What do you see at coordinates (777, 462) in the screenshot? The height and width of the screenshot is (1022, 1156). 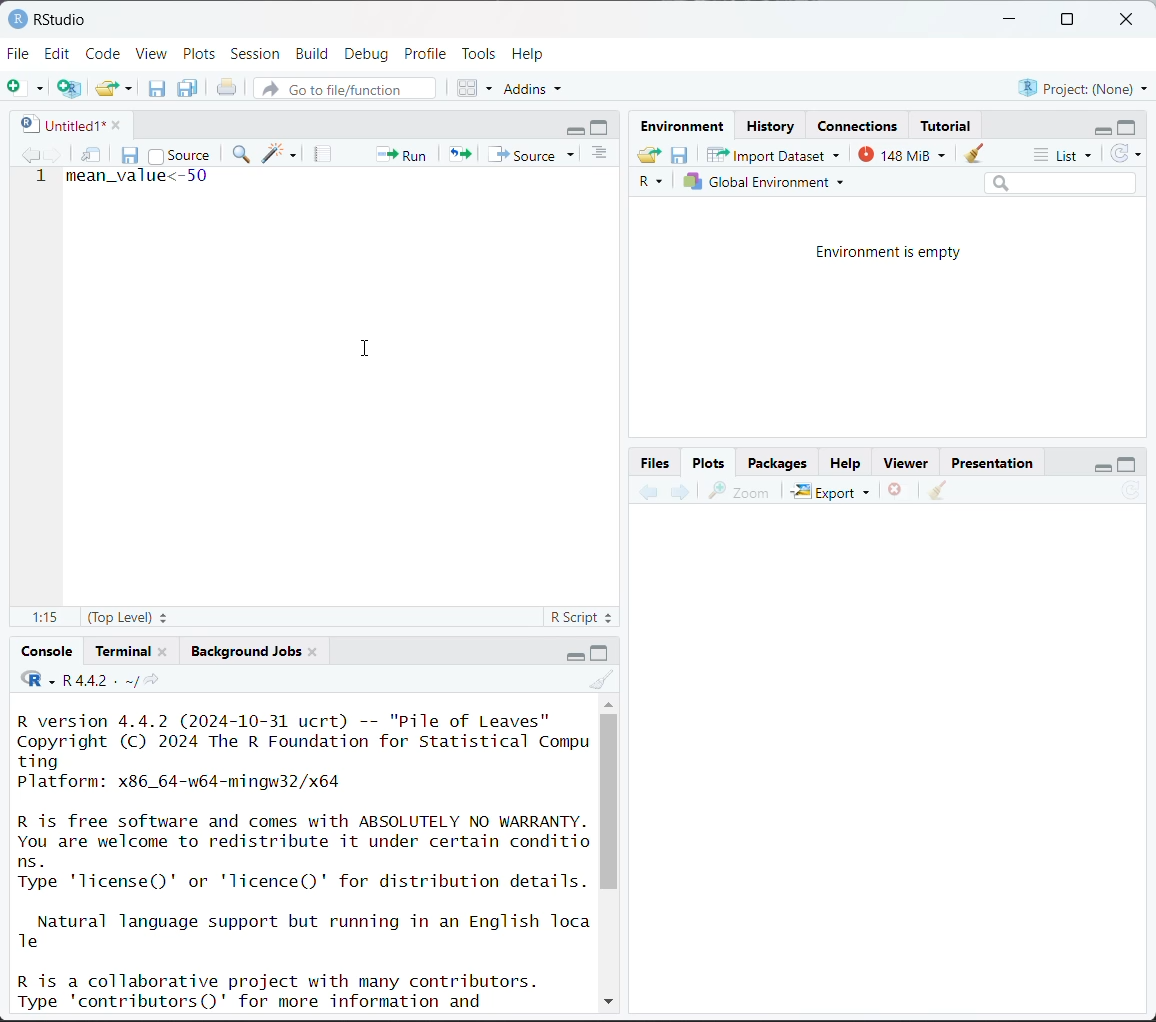 I see `Packages` at bounding box center [777, 462].